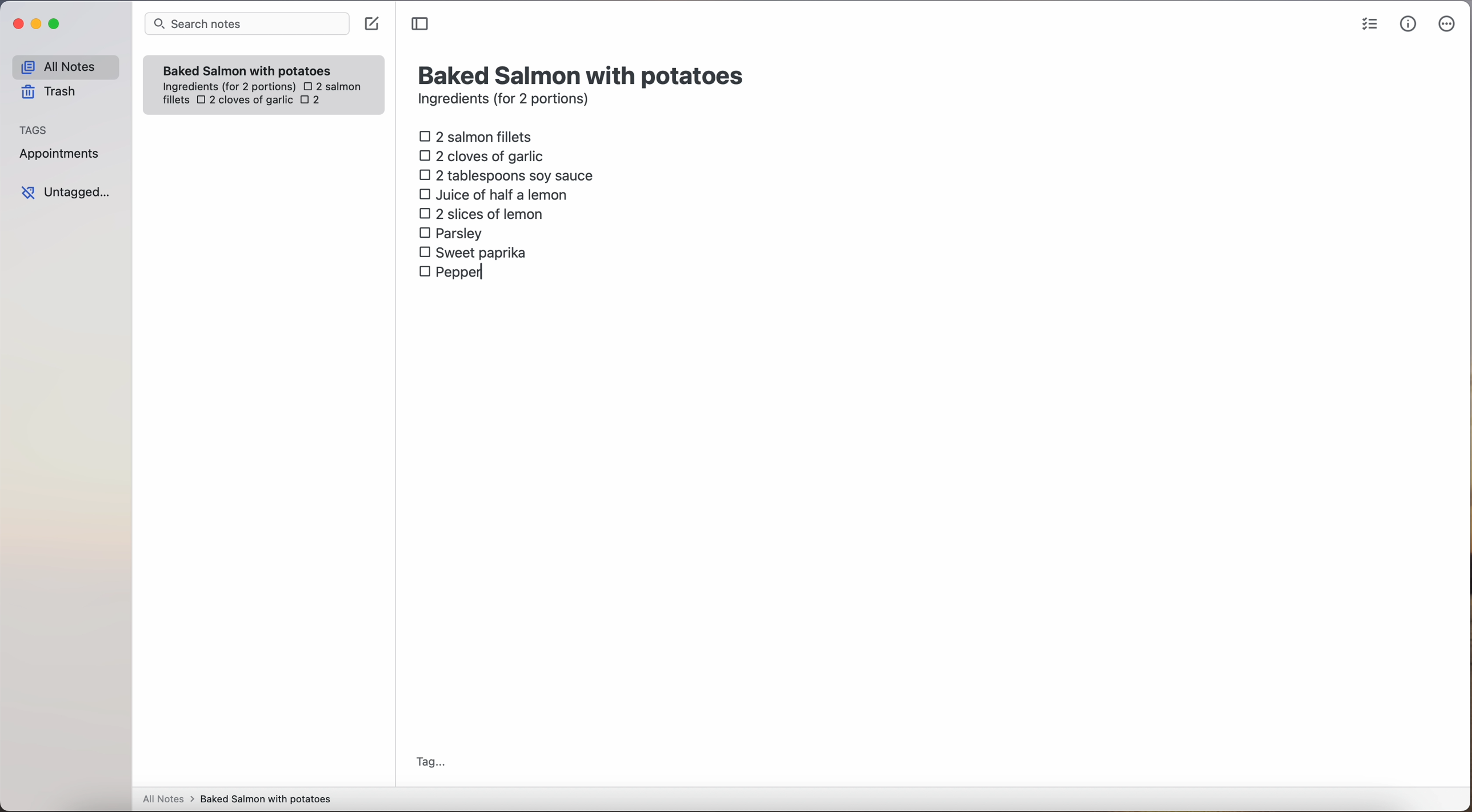  I want to click on juice of half a lemon, so click(497, 194).